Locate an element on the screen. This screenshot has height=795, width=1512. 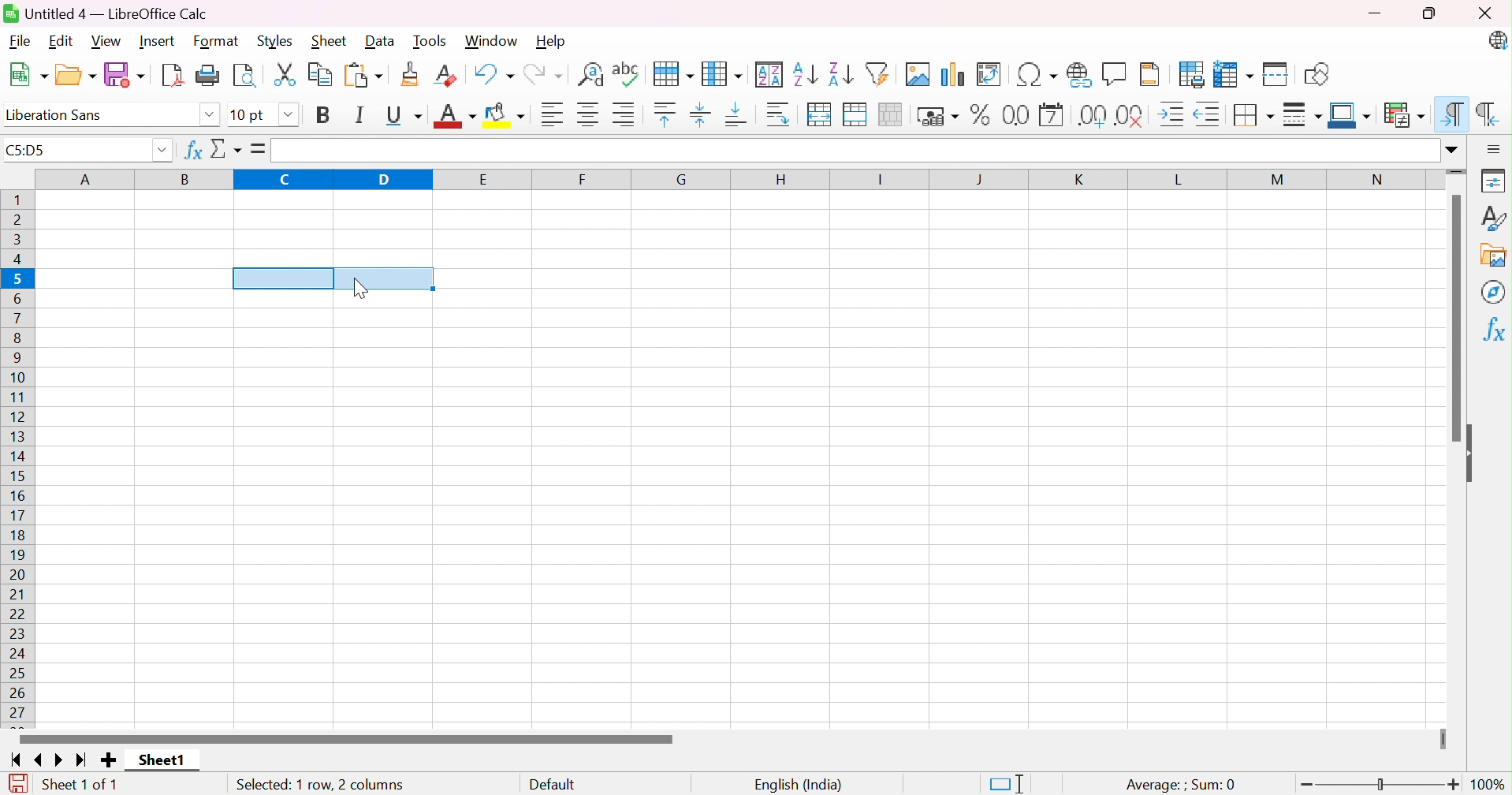
Center Vertically is located at coordinates (702, 114).